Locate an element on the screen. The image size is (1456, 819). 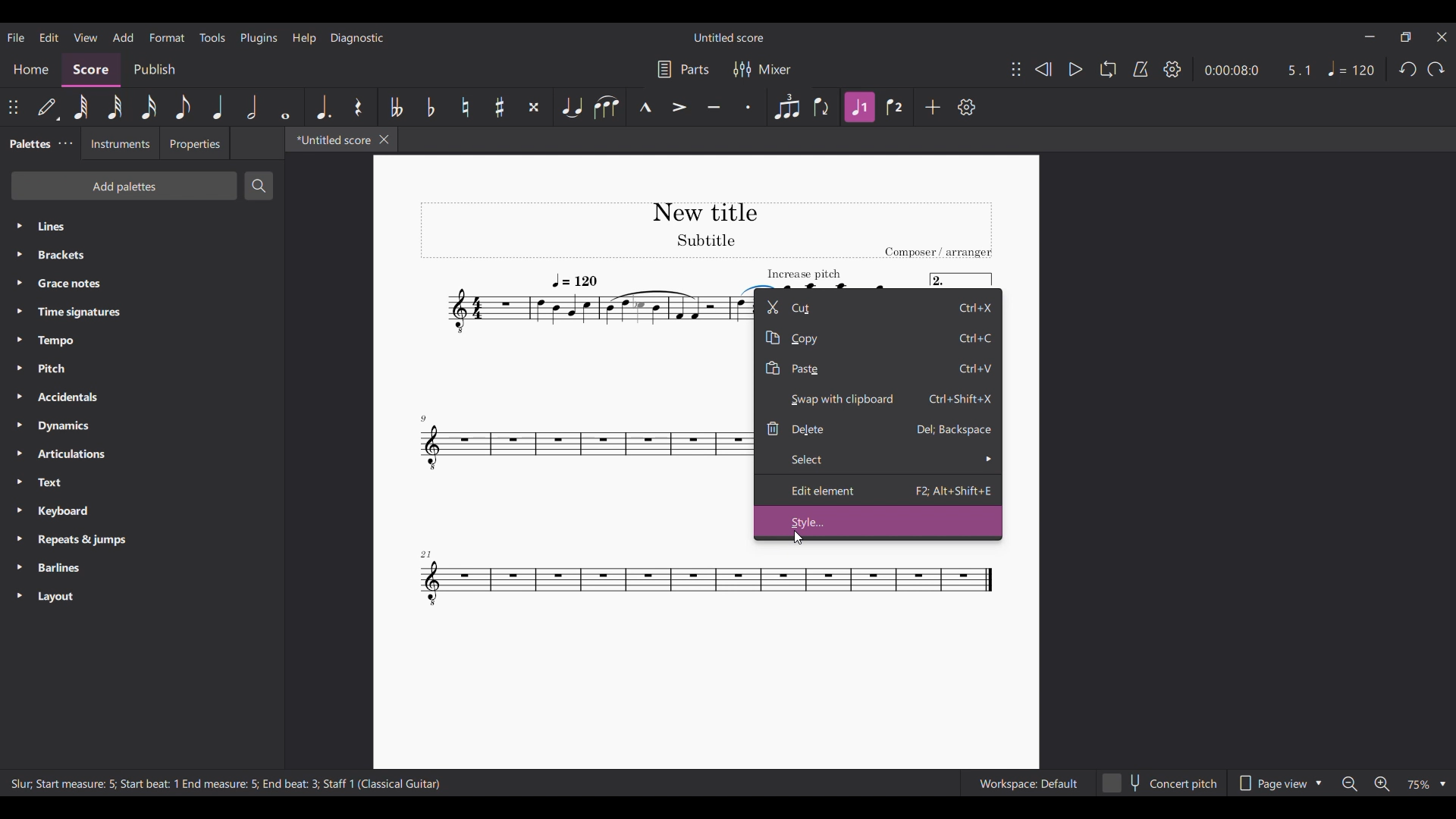
Score, current section highlighted is located at coordinates (92, 71).